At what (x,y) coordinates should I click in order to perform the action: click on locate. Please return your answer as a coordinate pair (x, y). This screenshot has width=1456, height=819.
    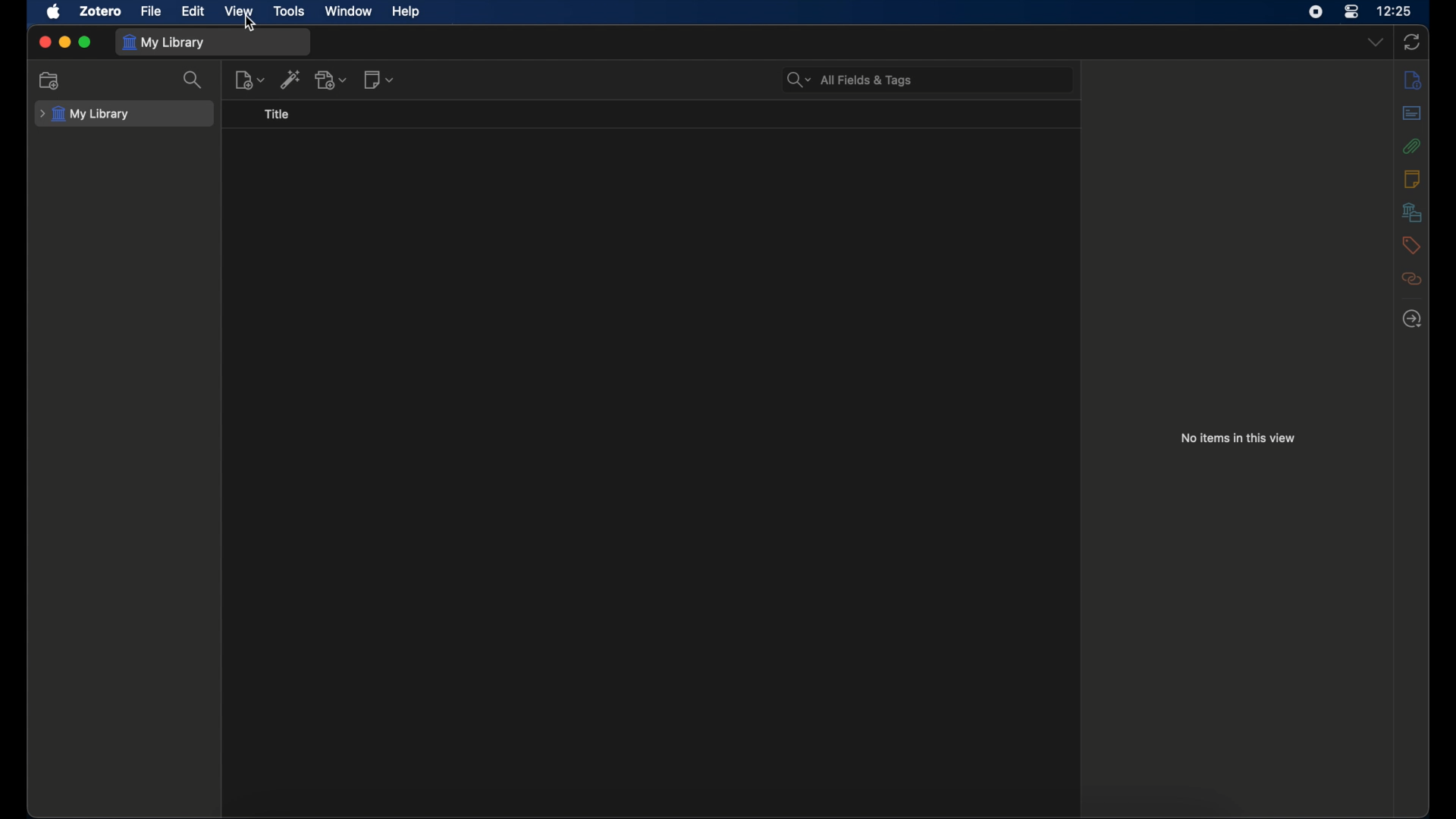
    Looking at the image, I should click on (1412, 319).